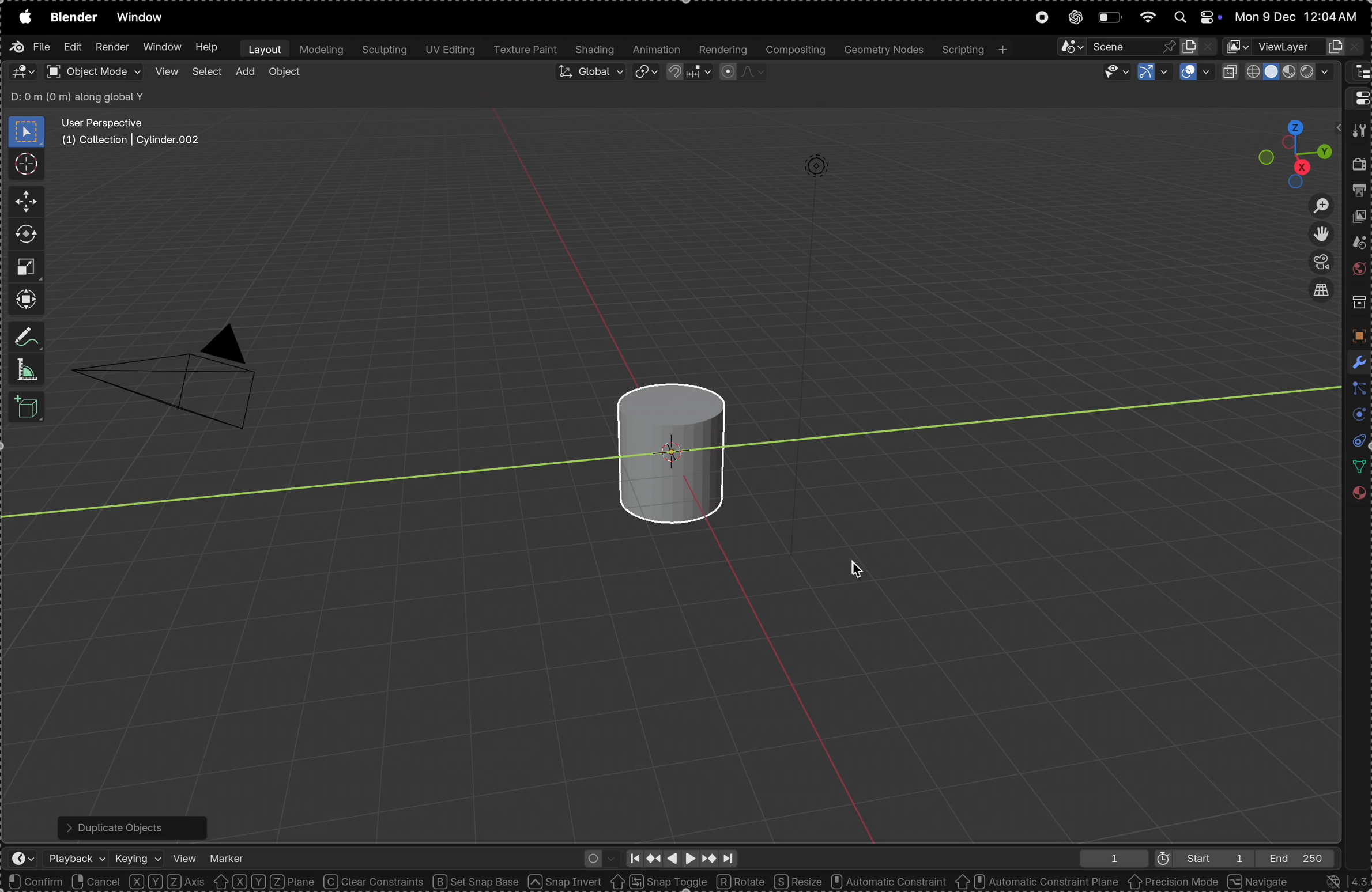 The image size is (1372, 892). Describe the element at coordinates (1358, 303) in the screenshot. I see `collections` at that location.